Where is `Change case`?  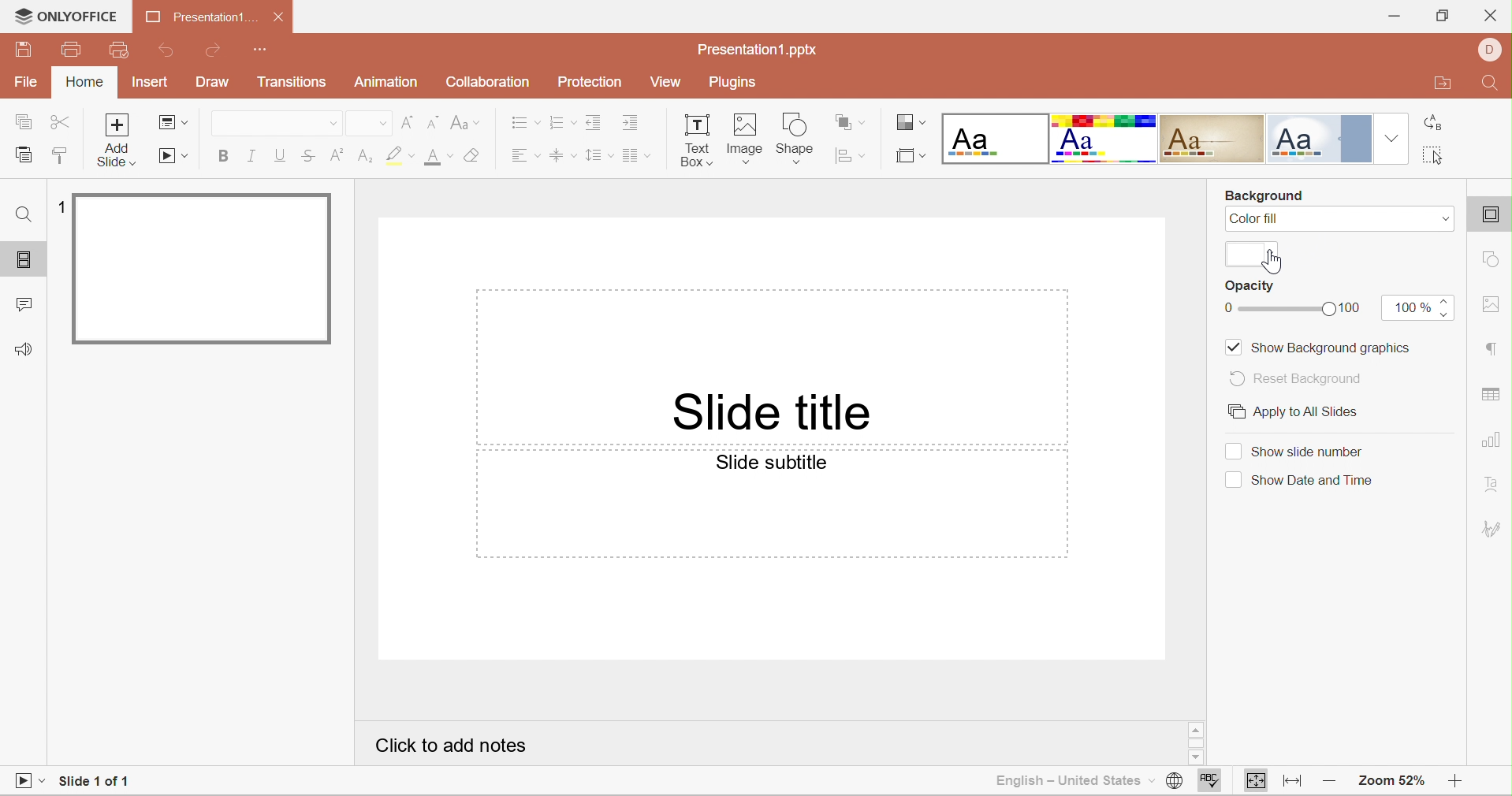 Change case is located at coordinates (462, 121).